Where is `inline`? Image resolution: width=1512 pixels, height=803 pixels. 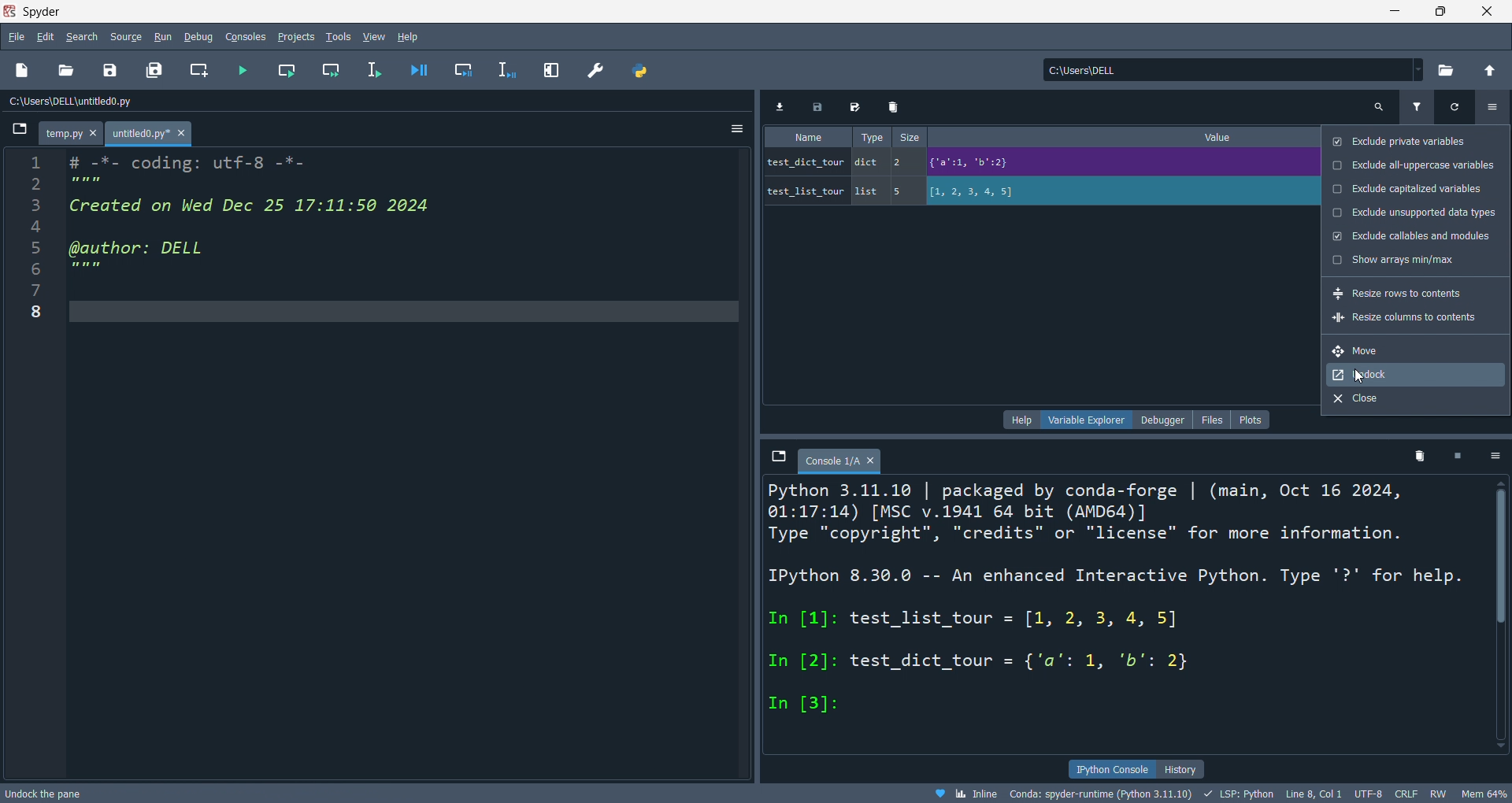 inline is located at coordinates (964, 792).